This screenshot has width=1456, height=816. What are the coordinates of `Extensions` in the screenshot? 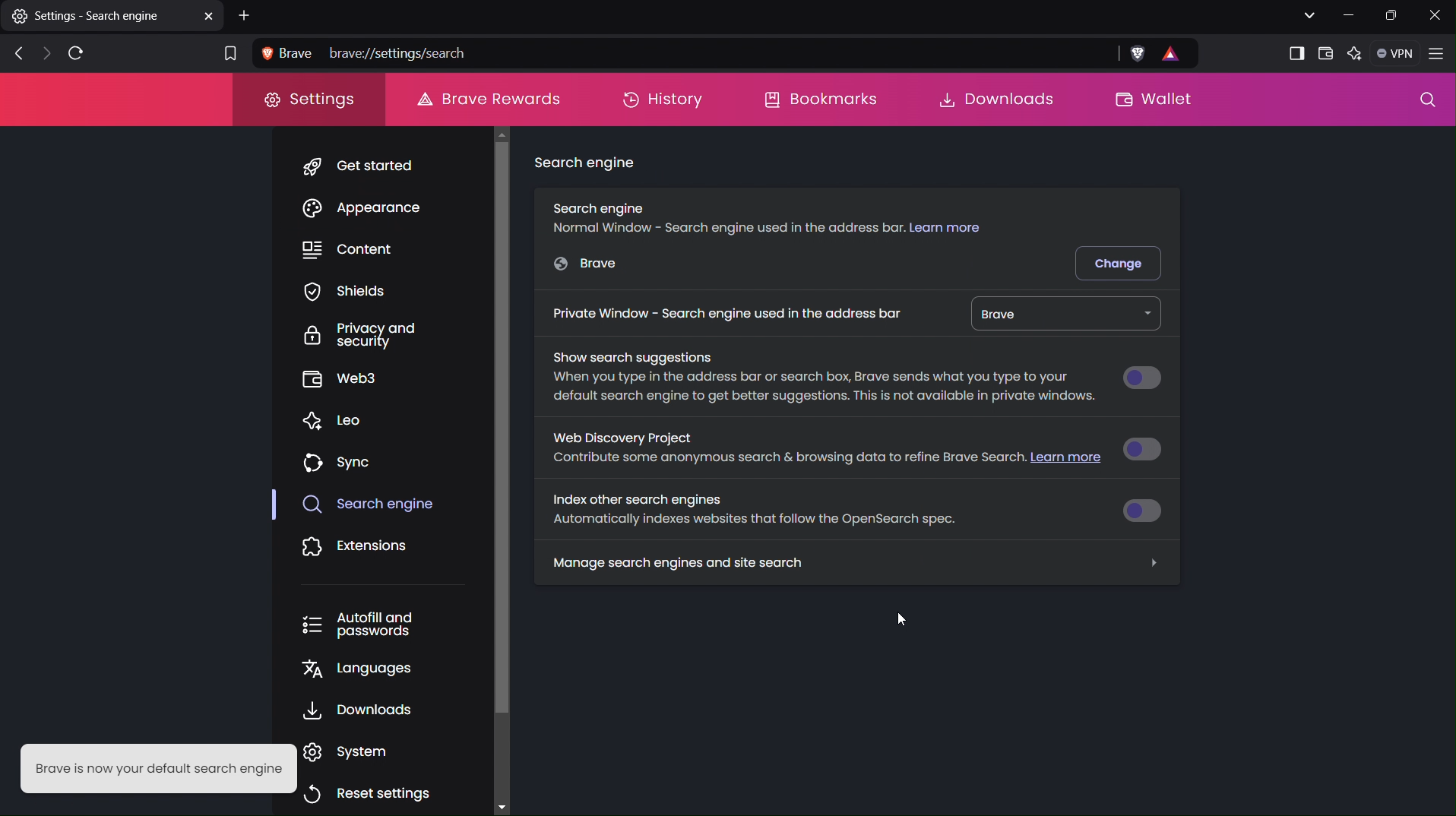 It's located at (356, 548).